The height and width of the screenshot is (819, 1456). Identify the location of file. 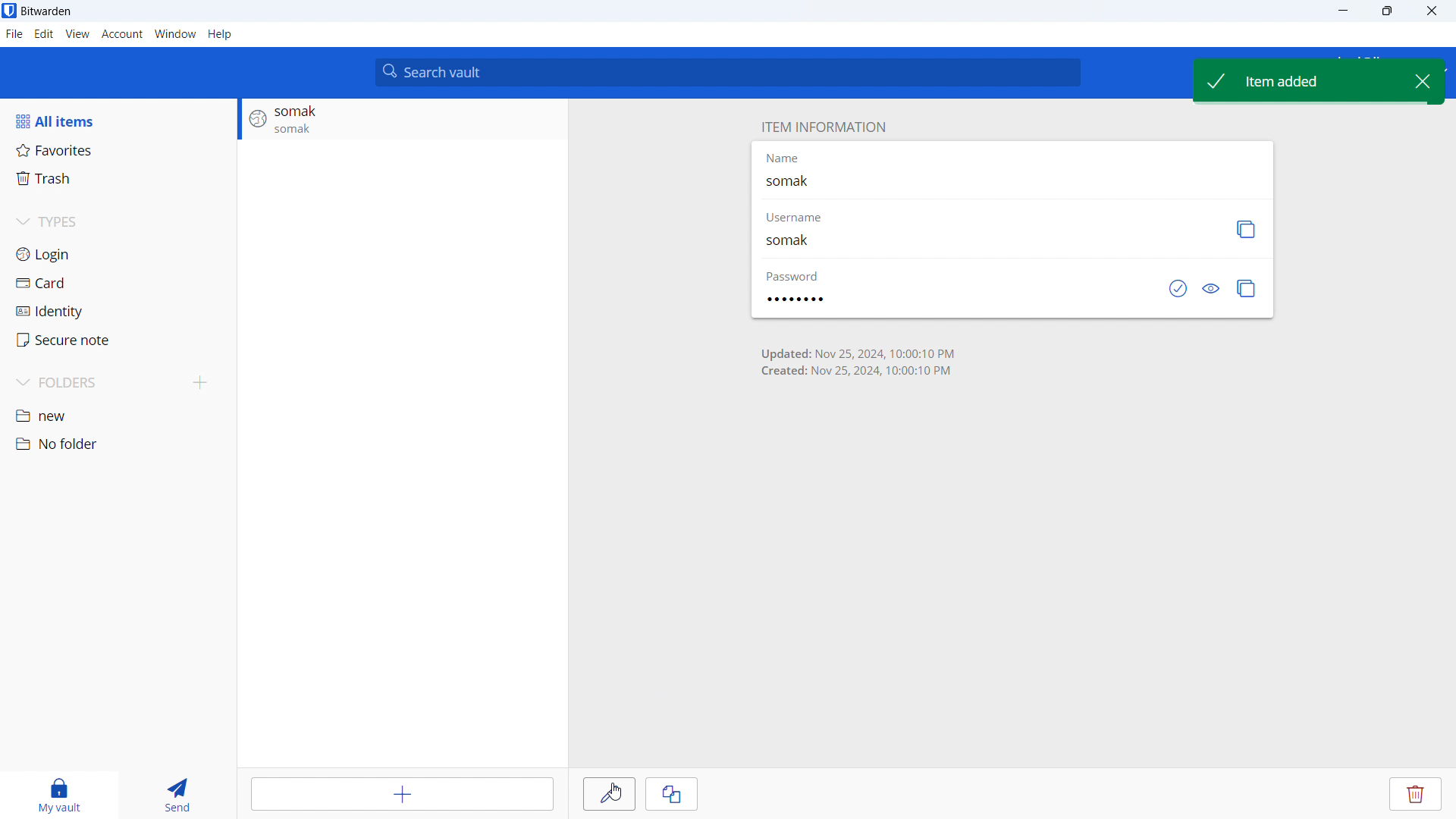
(14, 34).